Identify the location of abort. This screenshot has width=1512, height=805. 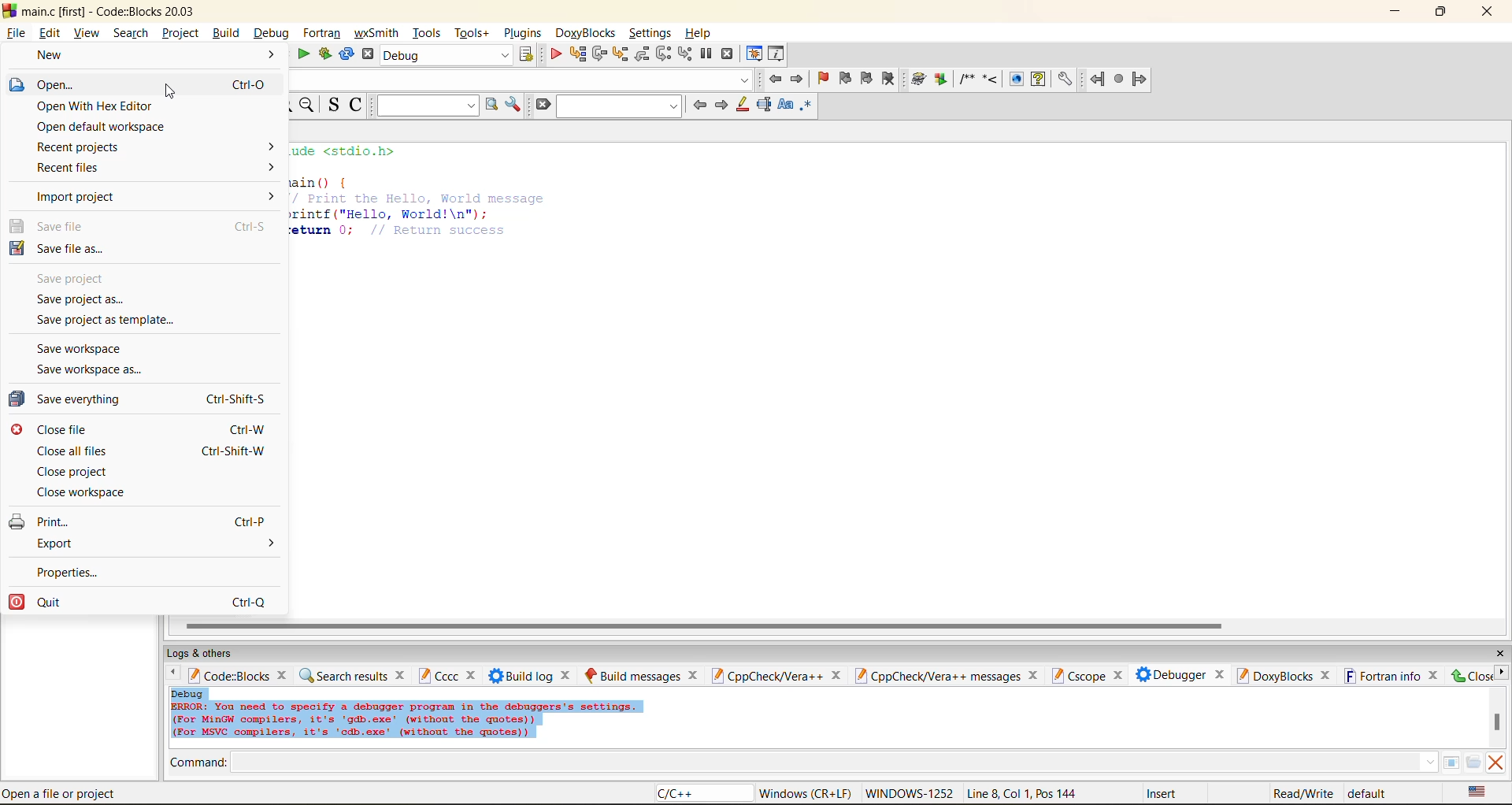
(368, 54).